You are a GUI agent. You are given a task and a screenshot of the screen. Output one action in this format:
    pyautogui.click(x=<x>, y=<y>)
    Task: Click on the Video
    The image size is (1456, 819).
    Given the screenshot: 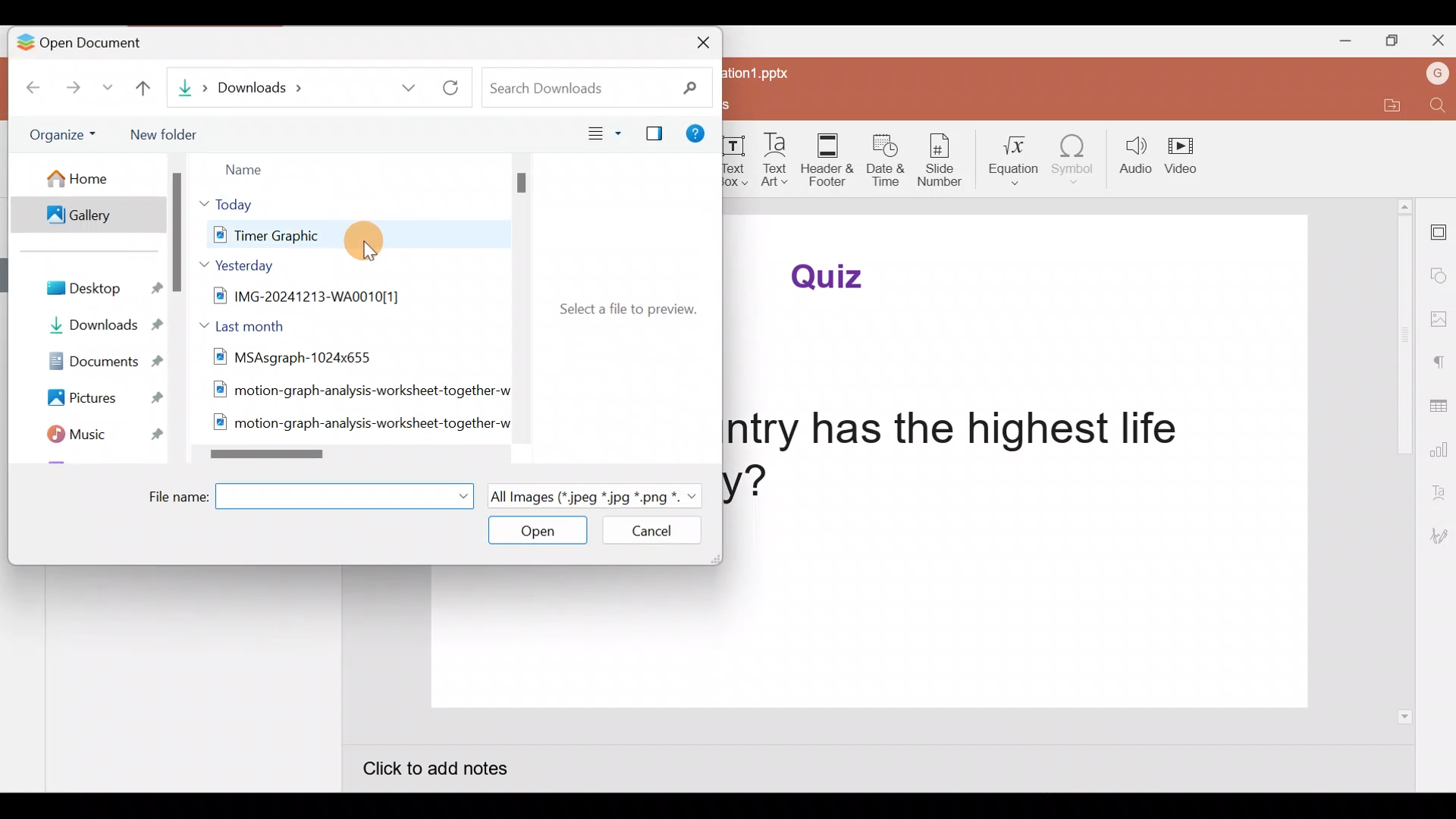 What is the action you would take?
    pyautogui.click(x=1187, y=152)
    